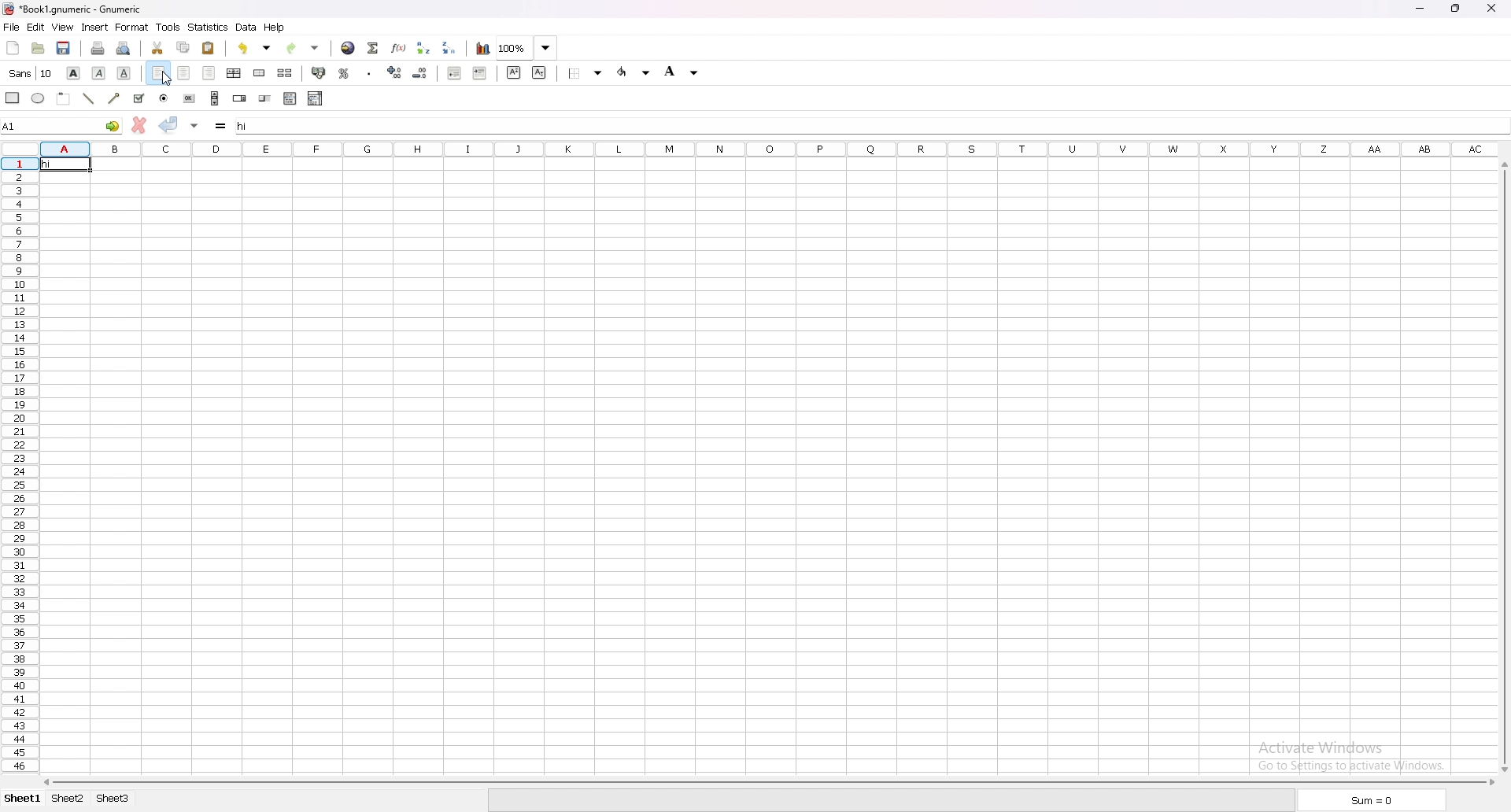  Describe the element at coordinates (683, 71) in the screenshot. I see `background` at that location.